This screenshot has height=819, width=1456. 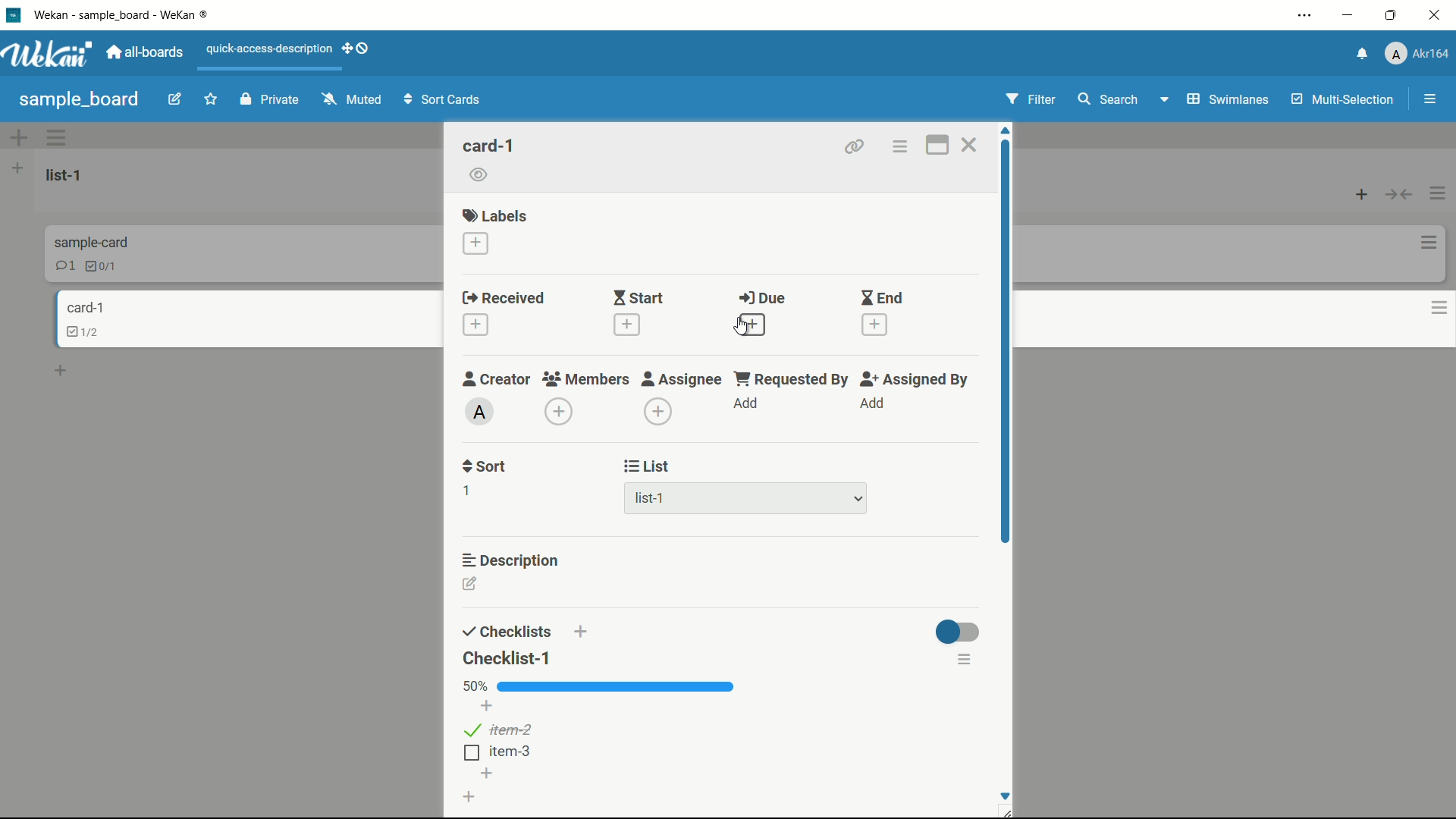 What do you see at coordinates (488, 773) in the screenshot?
I see `add item` at bounding box center [488, 773].